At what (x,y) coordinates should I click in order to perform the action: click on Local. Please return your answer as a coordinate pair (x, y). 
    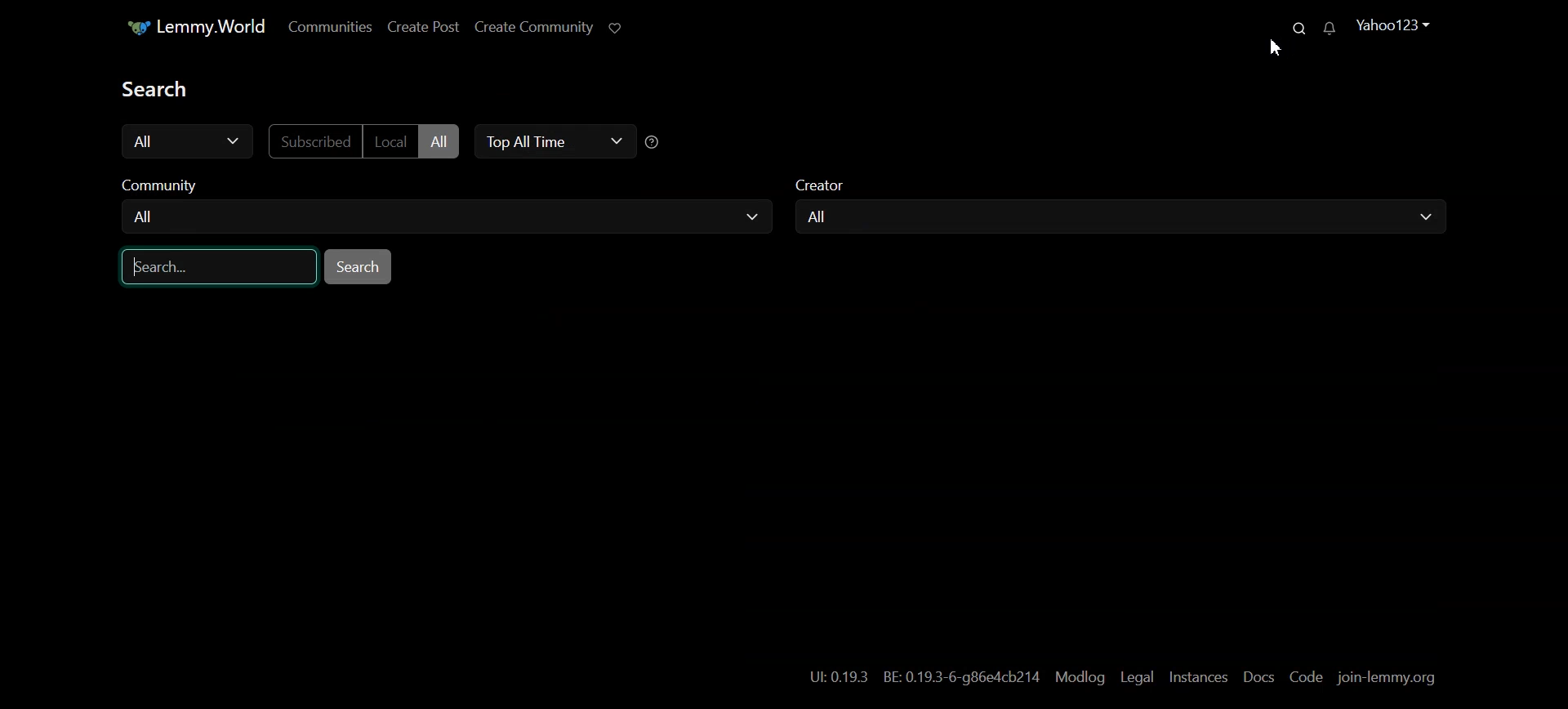
    Looking at the image, I should click on (390, 143).